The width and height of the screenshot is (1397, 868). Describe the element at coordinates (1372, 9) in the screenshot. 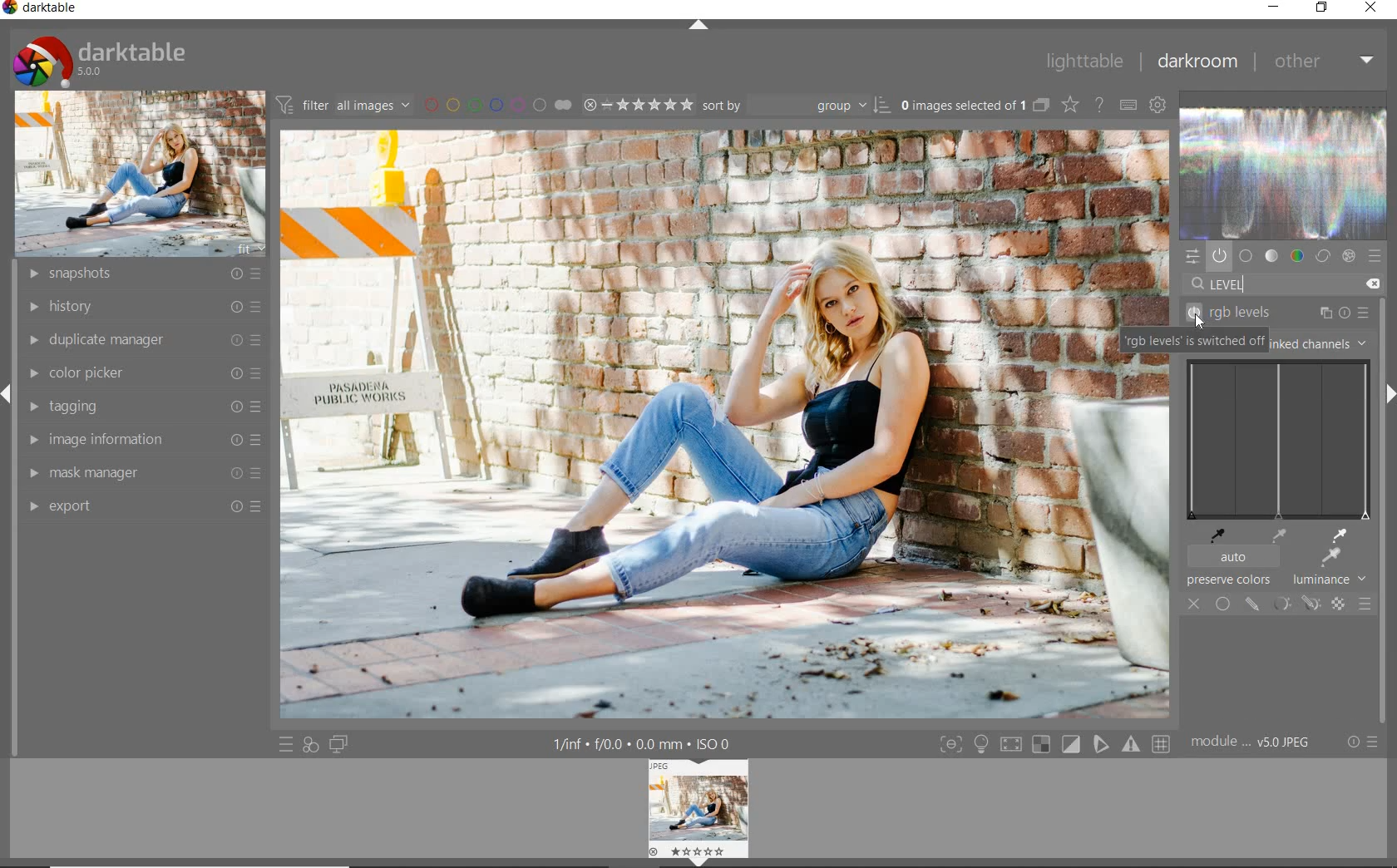

I see `close` at that location.